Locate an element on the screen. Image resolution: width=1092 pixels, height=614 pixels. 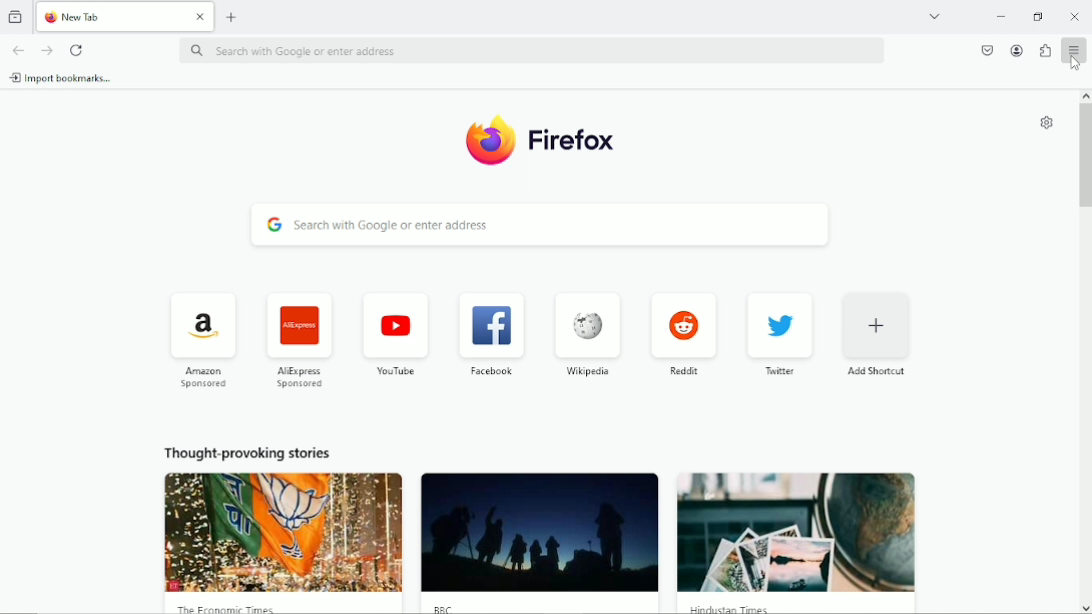
image is located at coordinates (539, 533).